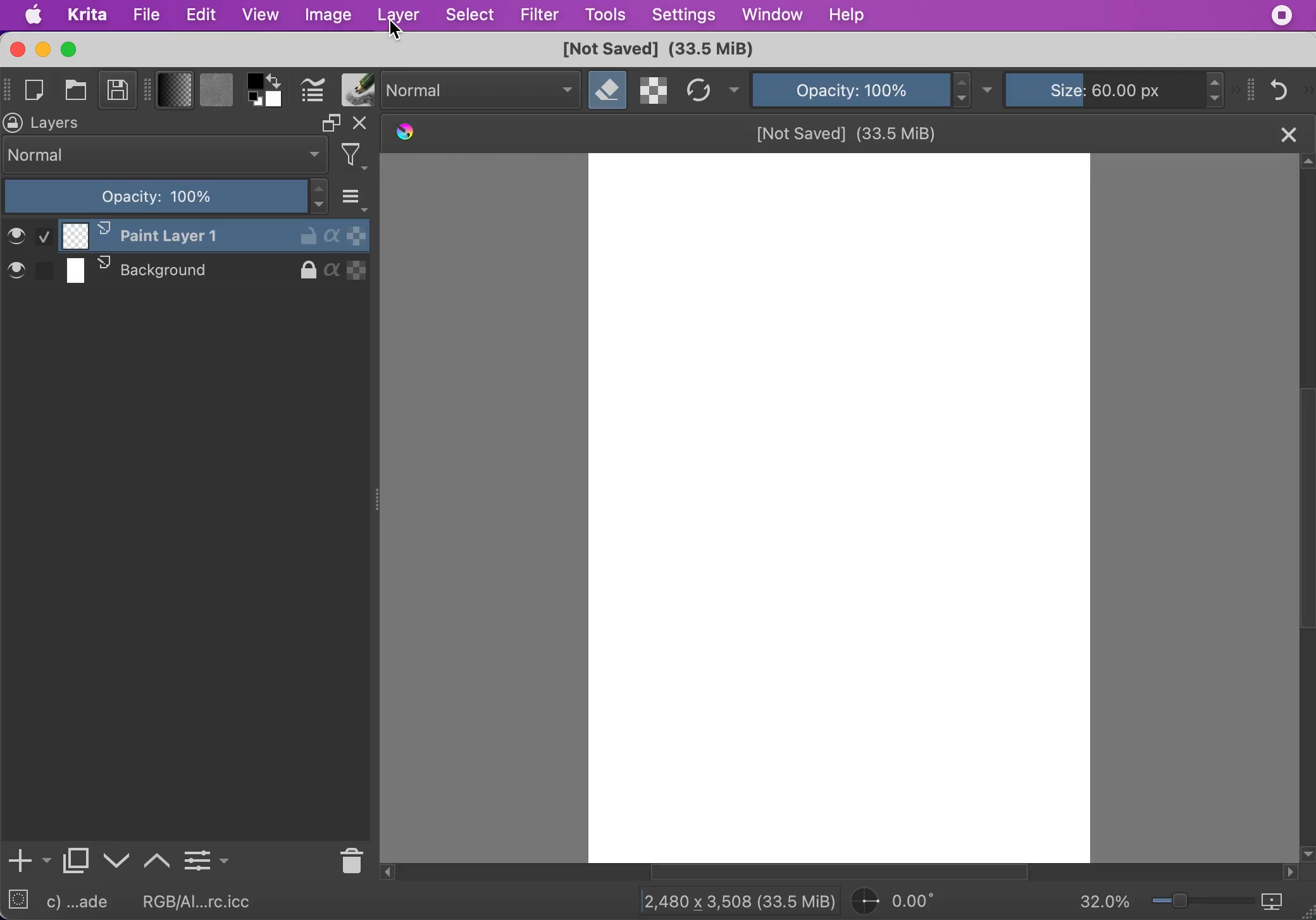 This screenshot has width=1316, height=920. I want to click on blending mode, so click(166, 155).